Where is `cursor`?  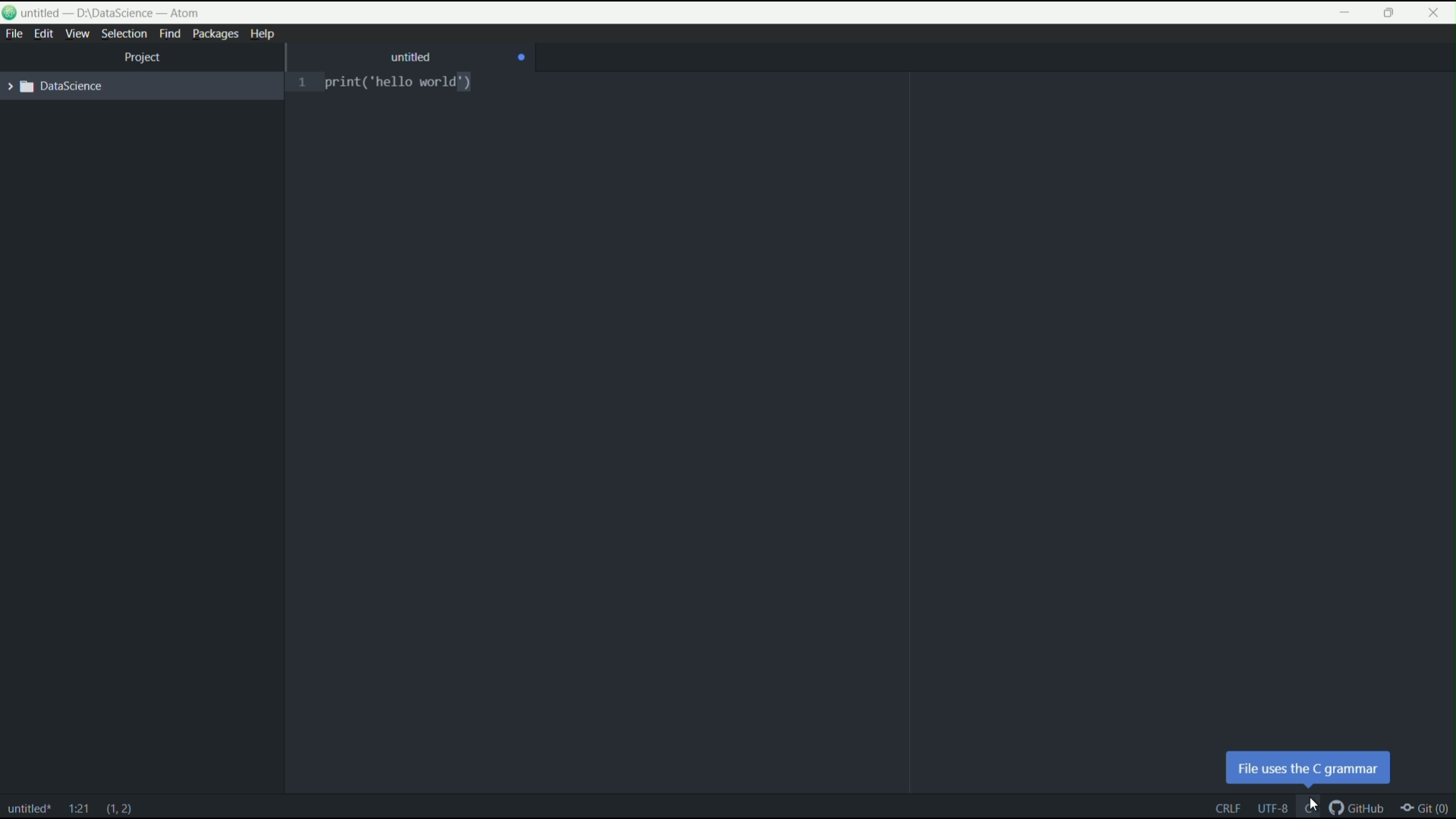
cursor is located at coordinates (1311, 804).